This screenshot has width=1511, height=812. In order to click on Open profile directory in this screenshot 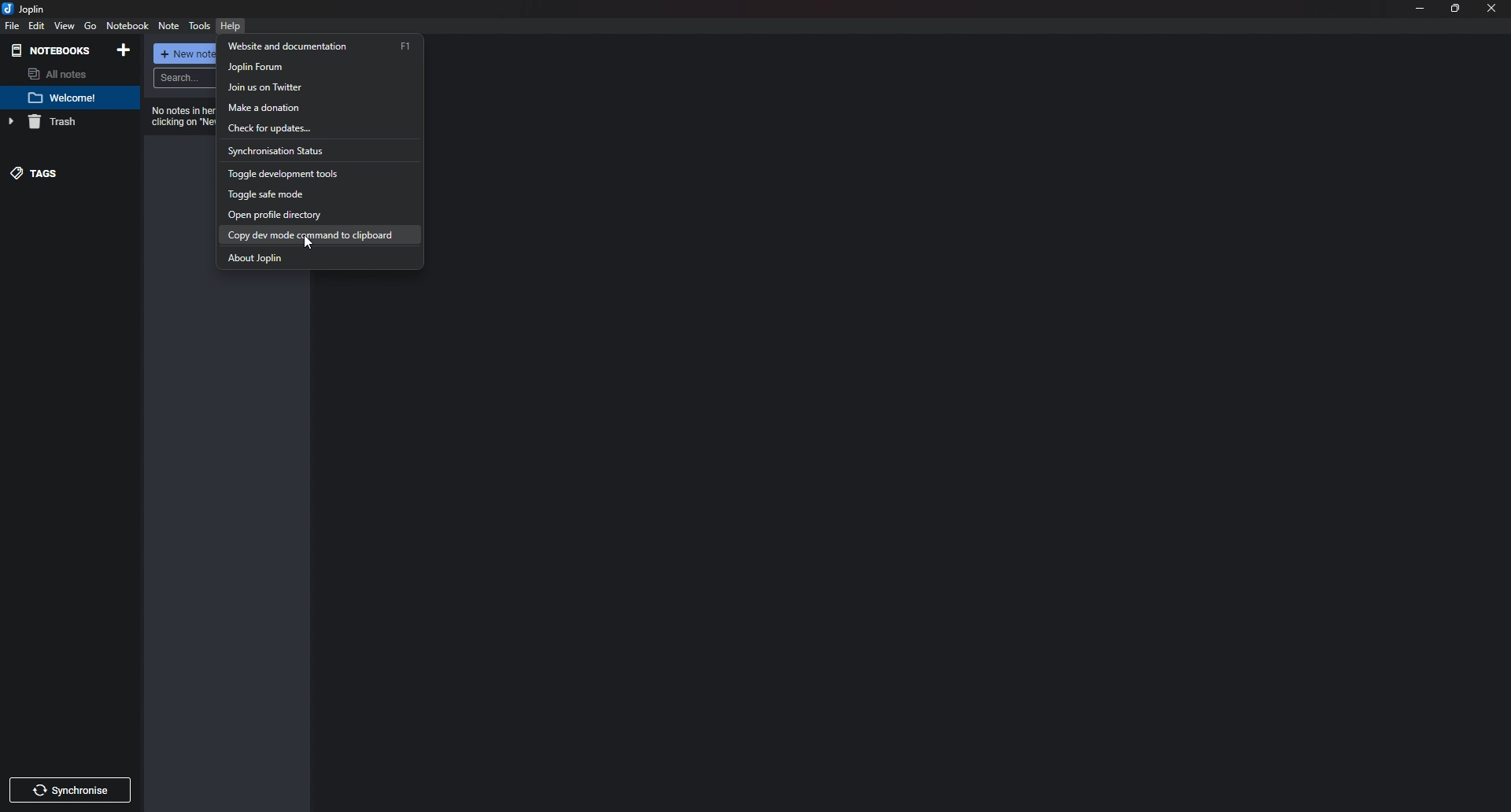, I will do `click(316, 215)`.